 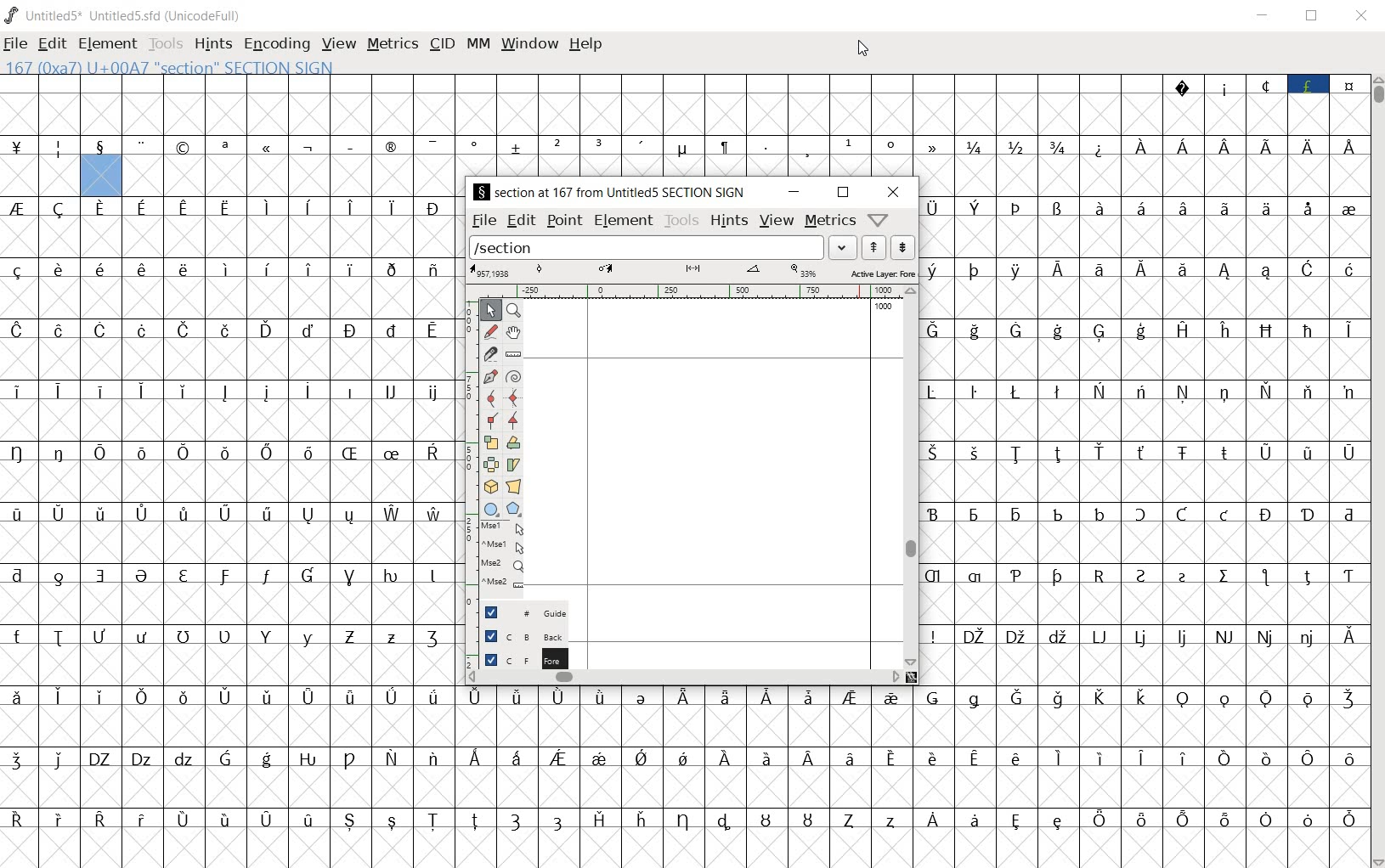 What do you see at coordinates (523, 612) in the screenshot?
I see `Guide` at bounding box center [523, 612].